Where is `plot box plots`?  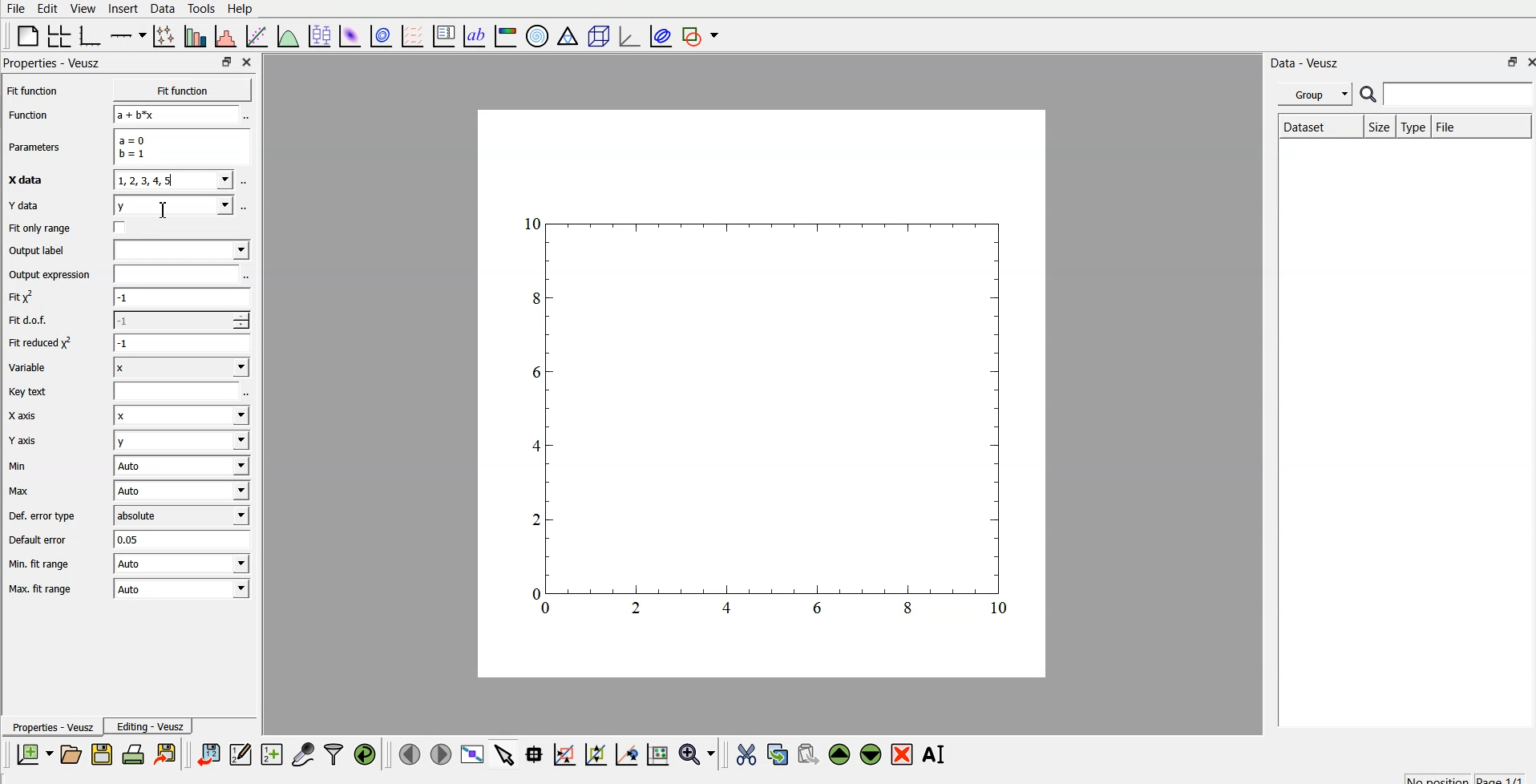 plot box plots is located at coordinates (320, 37).